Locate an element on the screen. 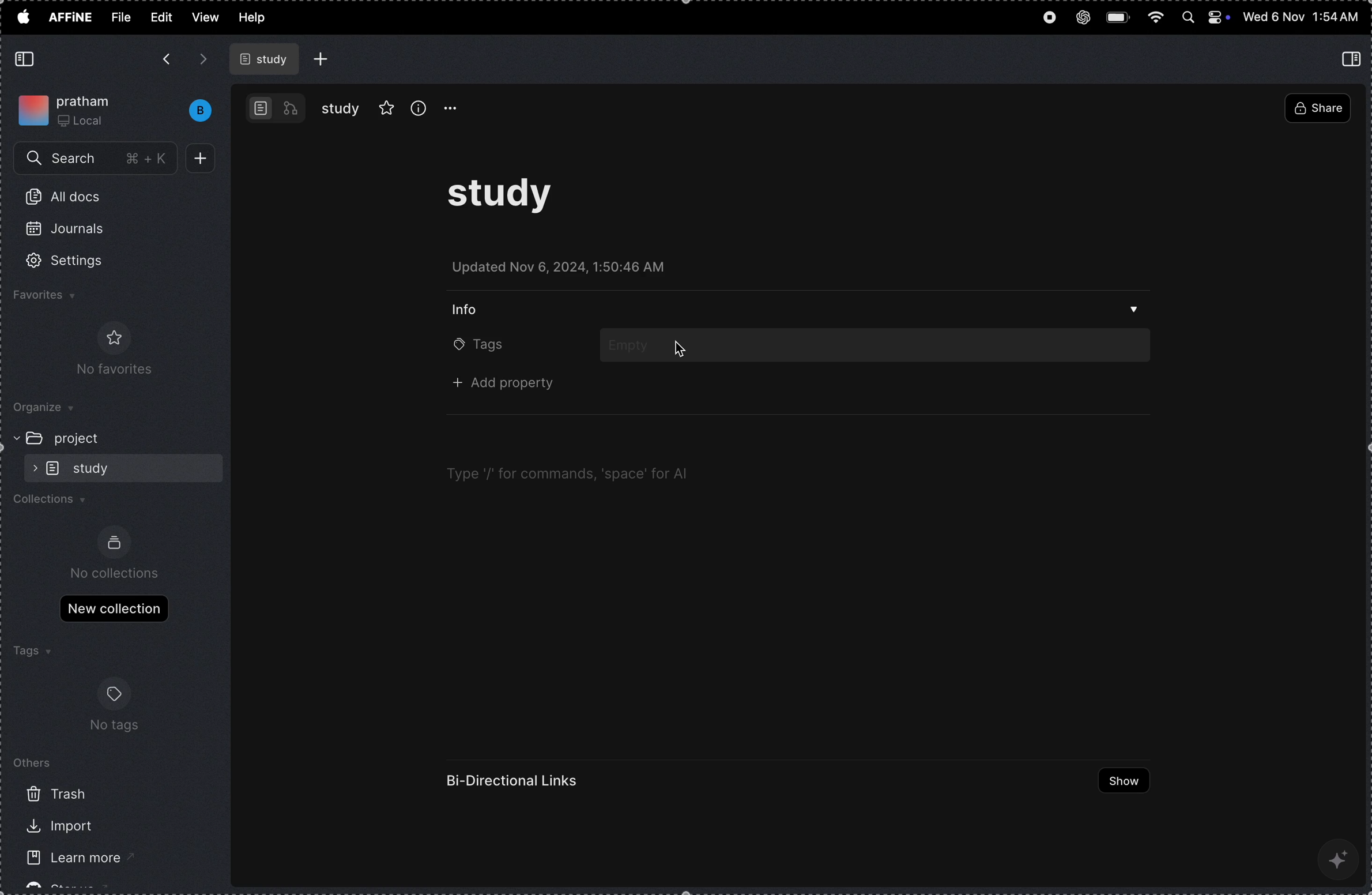  search menu is located at coordinates (97, 159).